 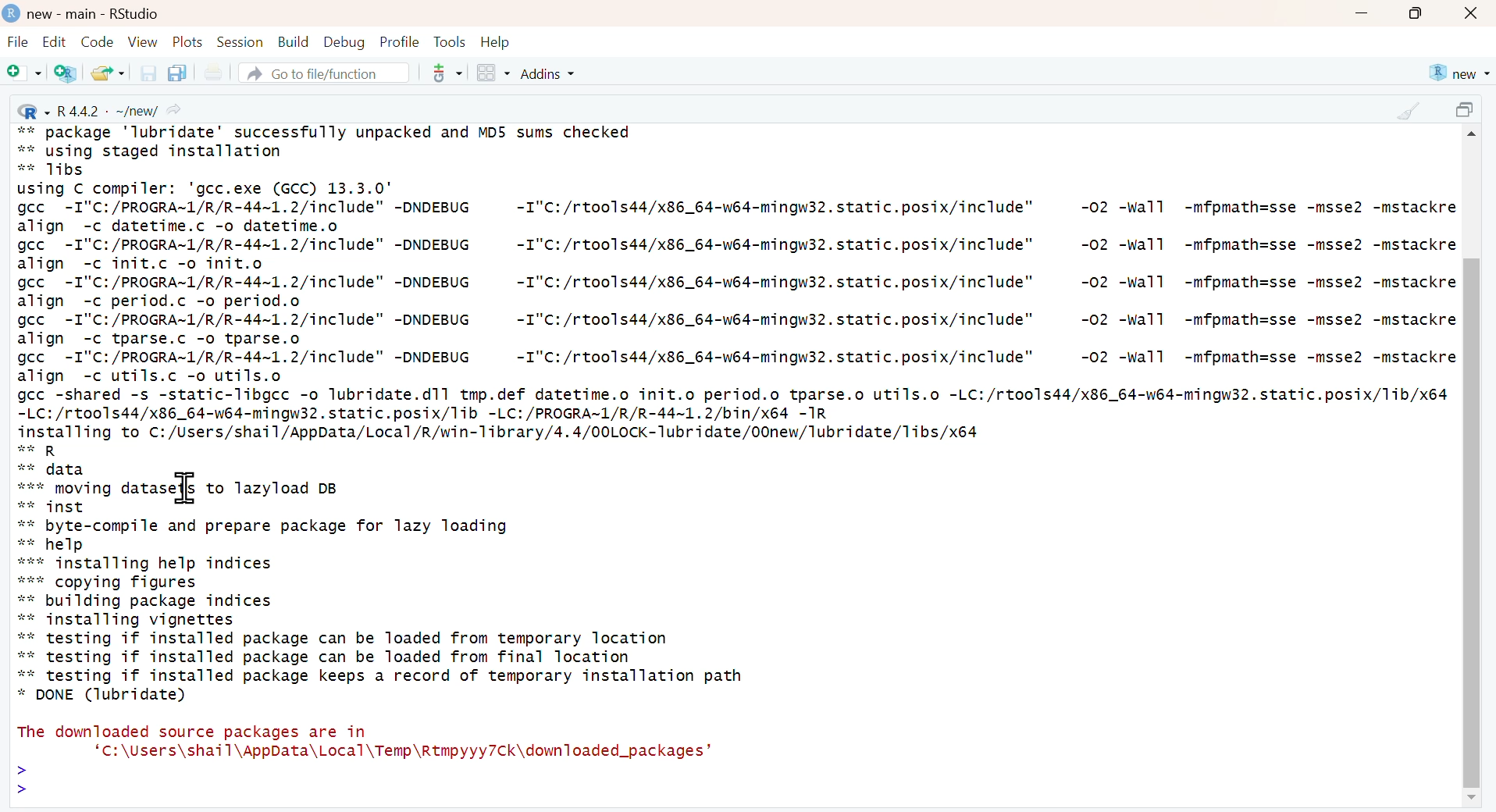 What do you see at coordinates (1361, 15) in the screenshot?
I see `minimize` at bounding box center [1361, 15].